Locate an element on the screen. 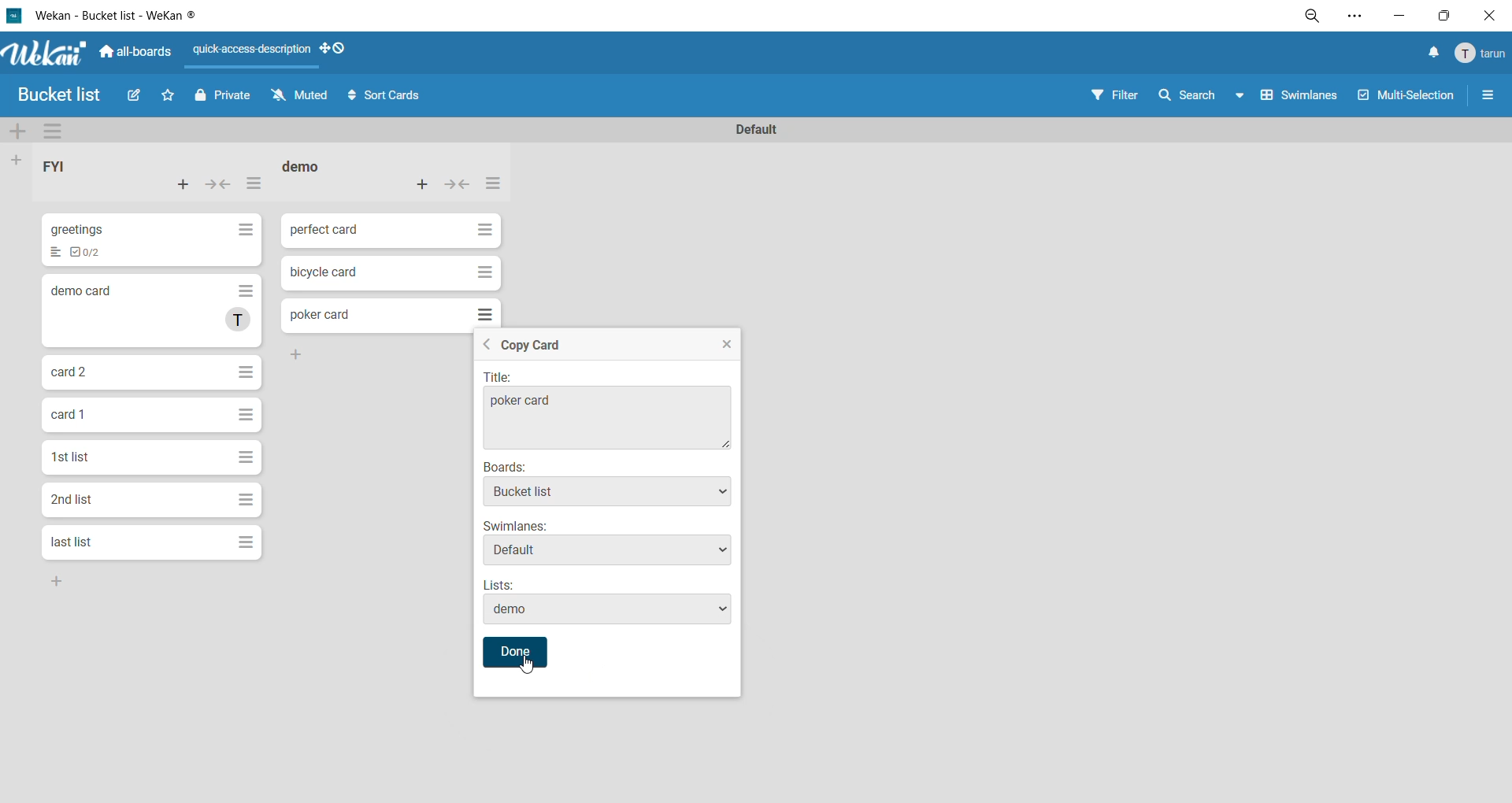 The image size is (1512, 803). add card is located at coordinates (424, 183).